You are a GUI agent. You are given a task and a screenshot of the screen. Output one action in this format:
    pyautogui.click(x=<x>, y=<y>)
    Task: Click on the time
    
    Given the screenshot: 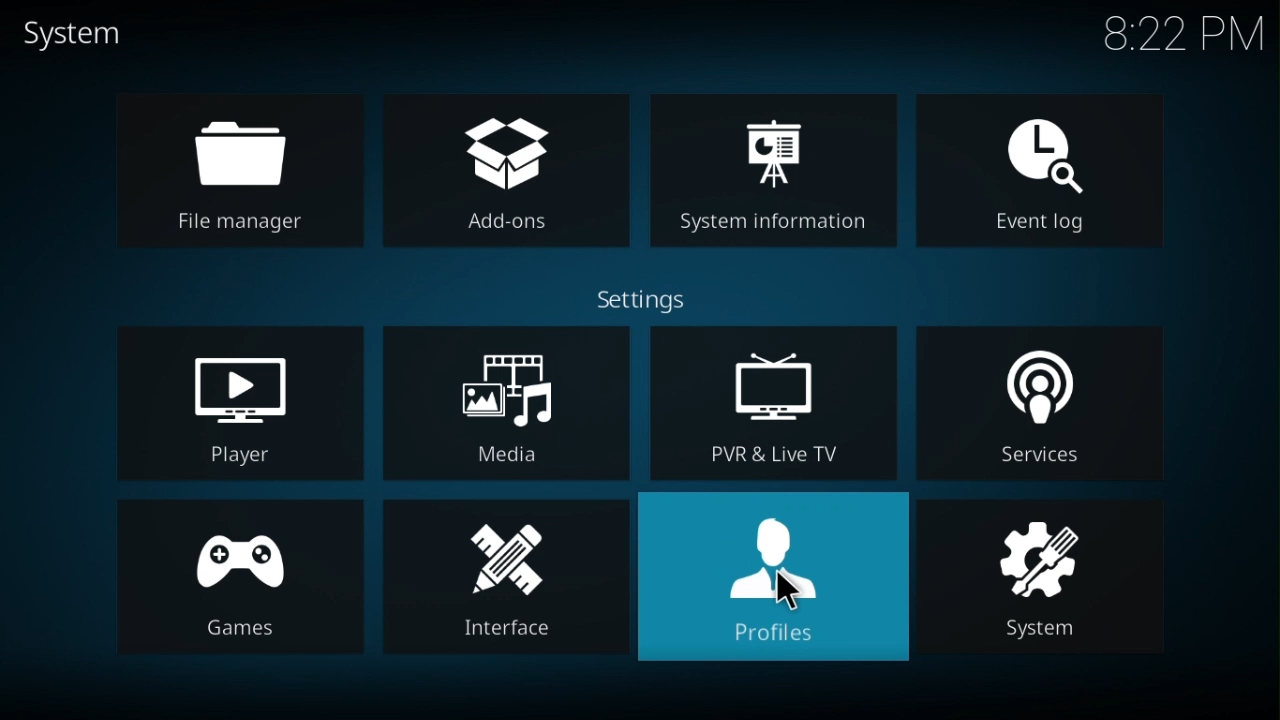 What is the action you would take?
    pyautogui.click(x=1188, y=32)
    